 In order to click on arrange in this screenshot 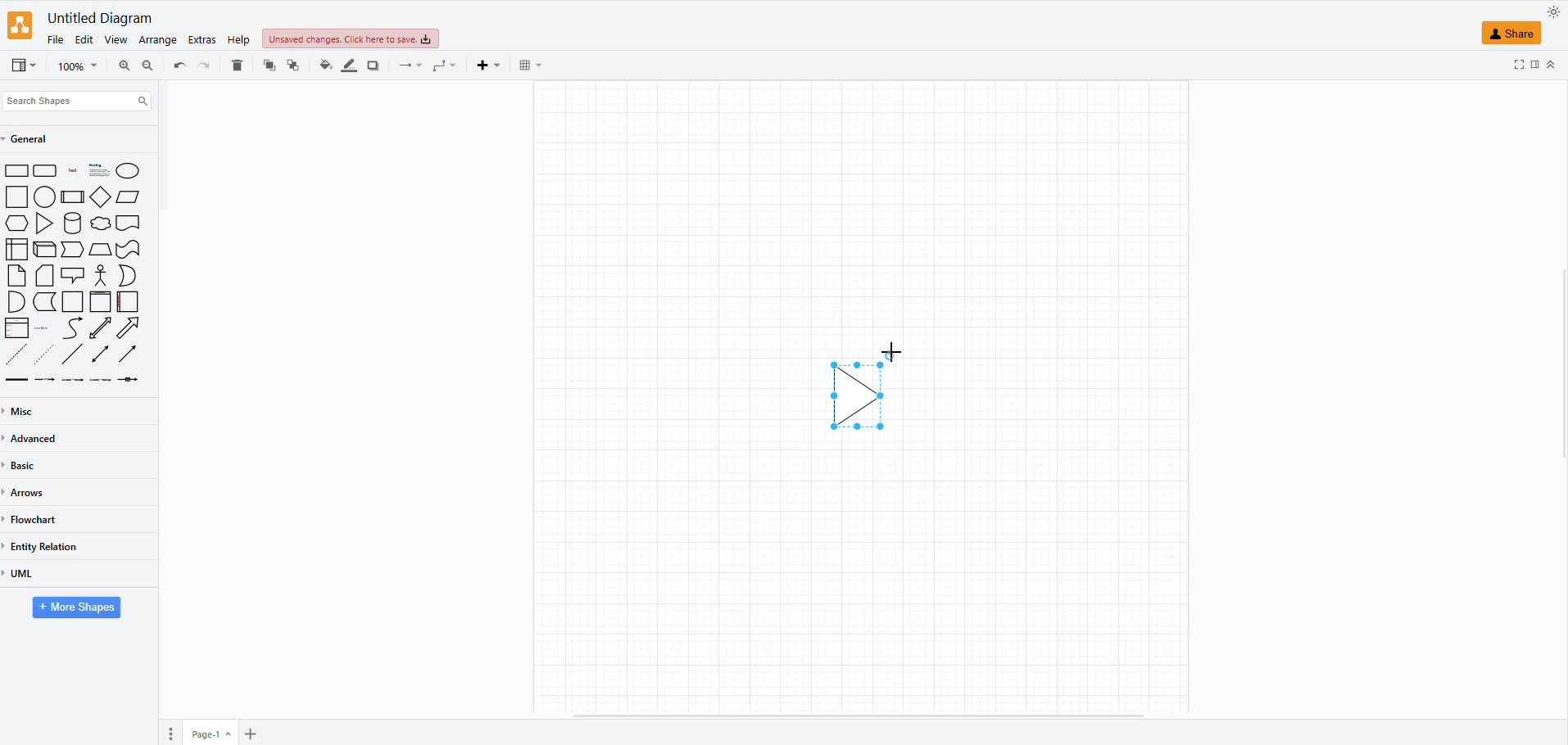, I will do `click(157, 38)`.